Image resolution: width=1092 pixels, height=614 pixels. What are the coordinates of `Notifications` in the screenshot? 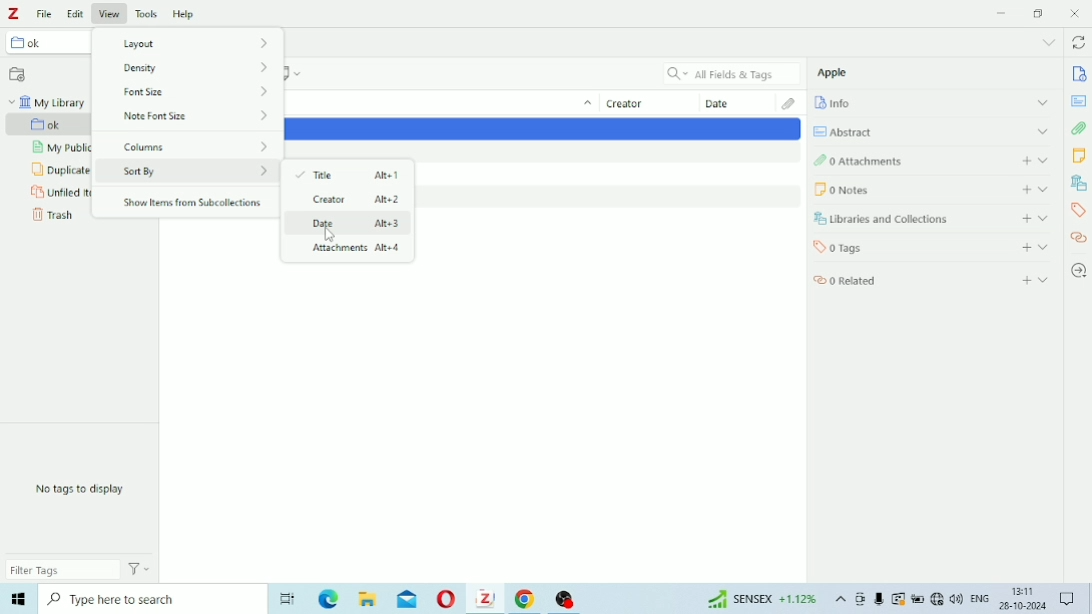 It's located at (1069, 599).